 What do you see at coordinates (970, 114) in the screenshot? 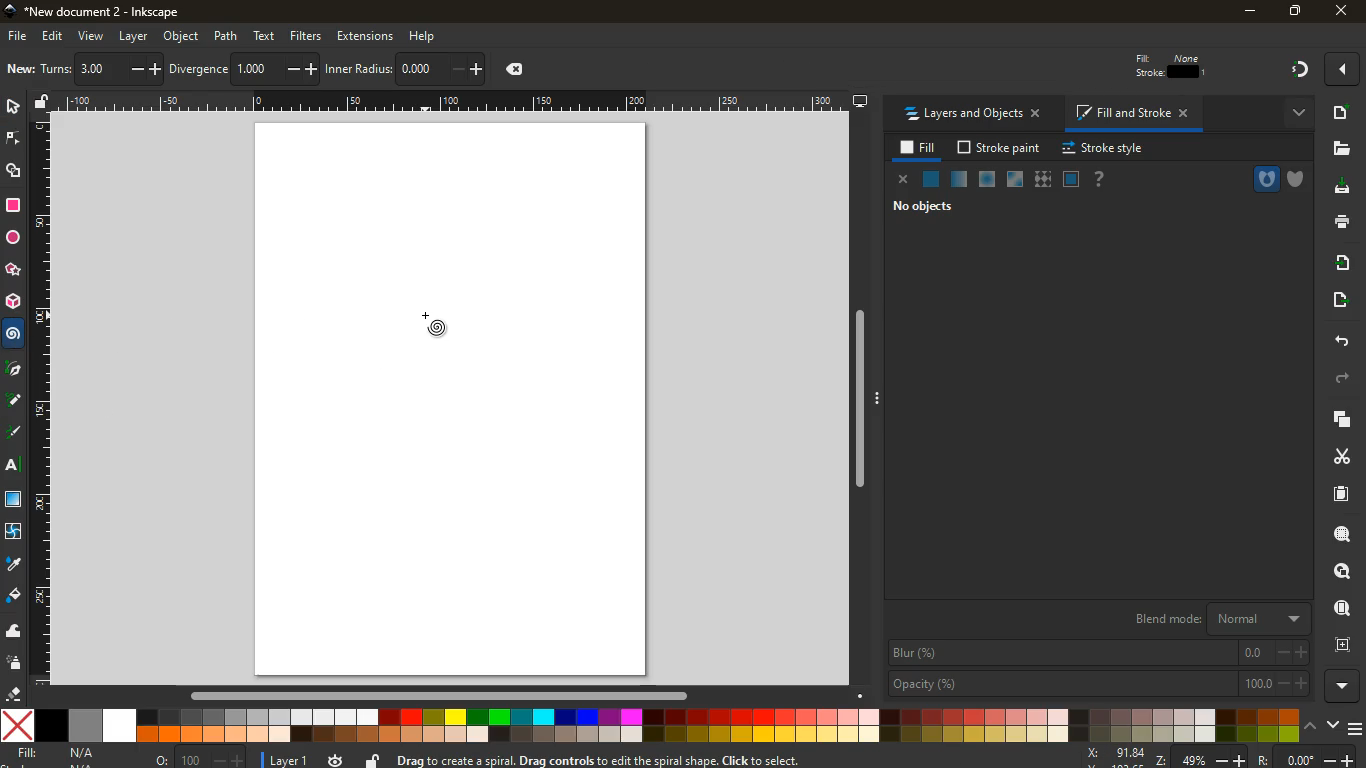
I see `layers and objects` at bounding box center [970, 114].